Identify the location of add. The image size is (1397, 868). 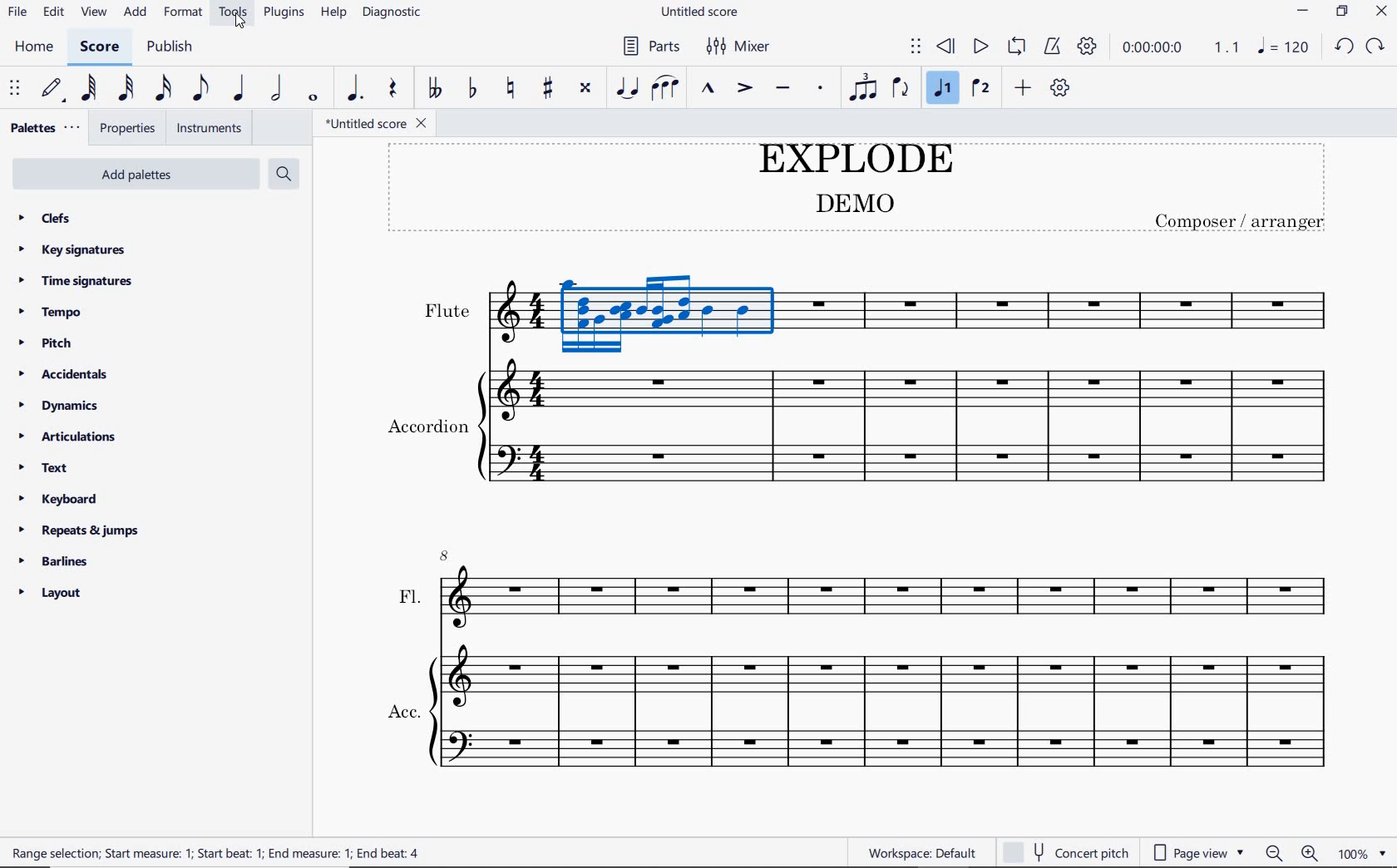
(135, 13).